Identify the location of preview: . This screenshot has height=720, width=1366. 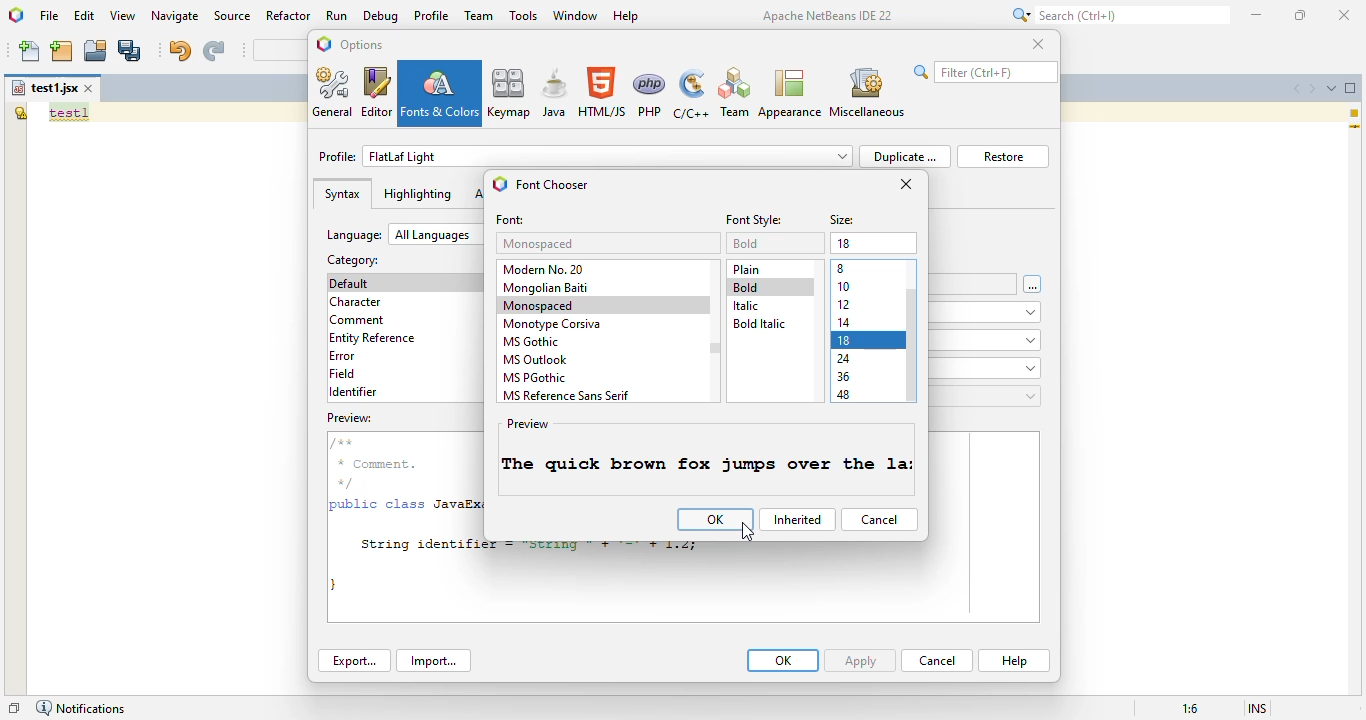
(351, 418).